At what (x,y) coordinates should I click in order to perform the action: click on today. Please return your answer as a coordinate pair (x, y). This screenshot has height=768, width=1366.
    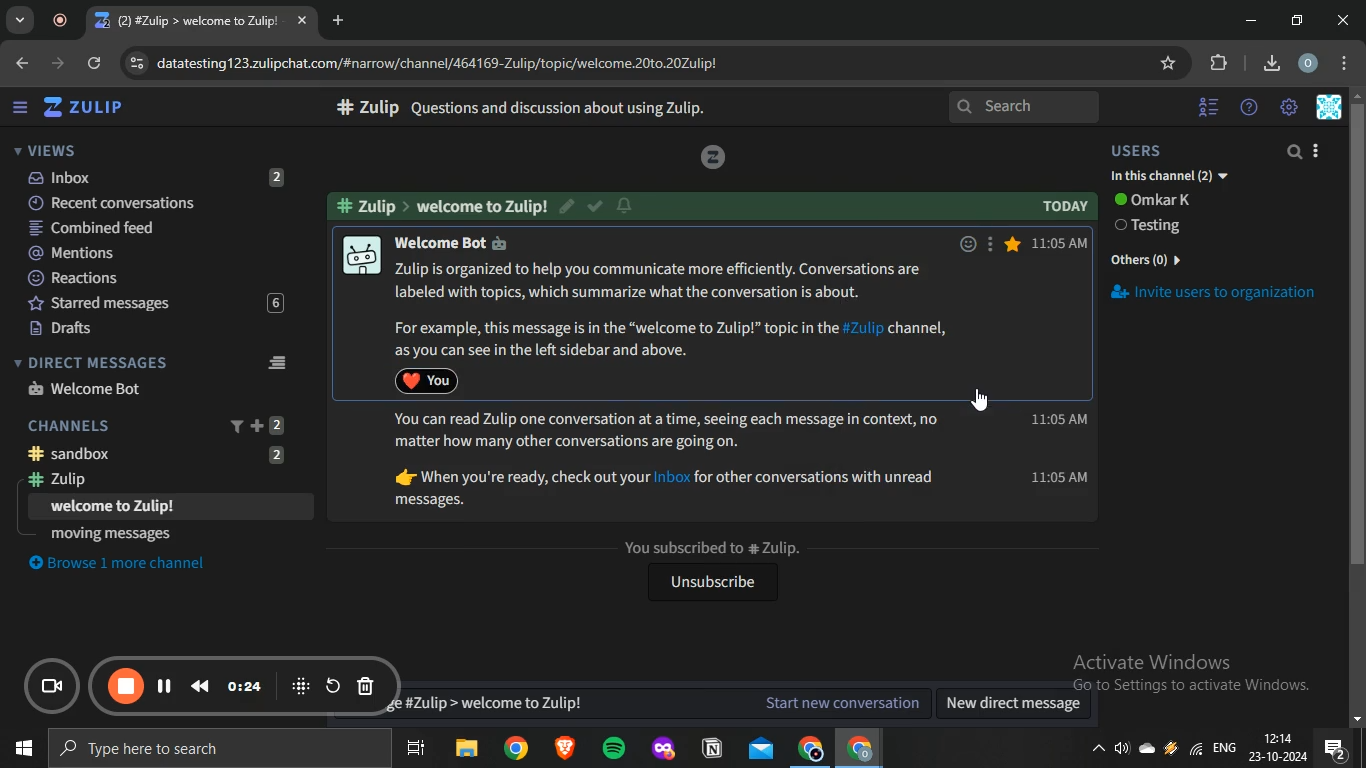
    Looking at the image, I should click on (1065, 207).